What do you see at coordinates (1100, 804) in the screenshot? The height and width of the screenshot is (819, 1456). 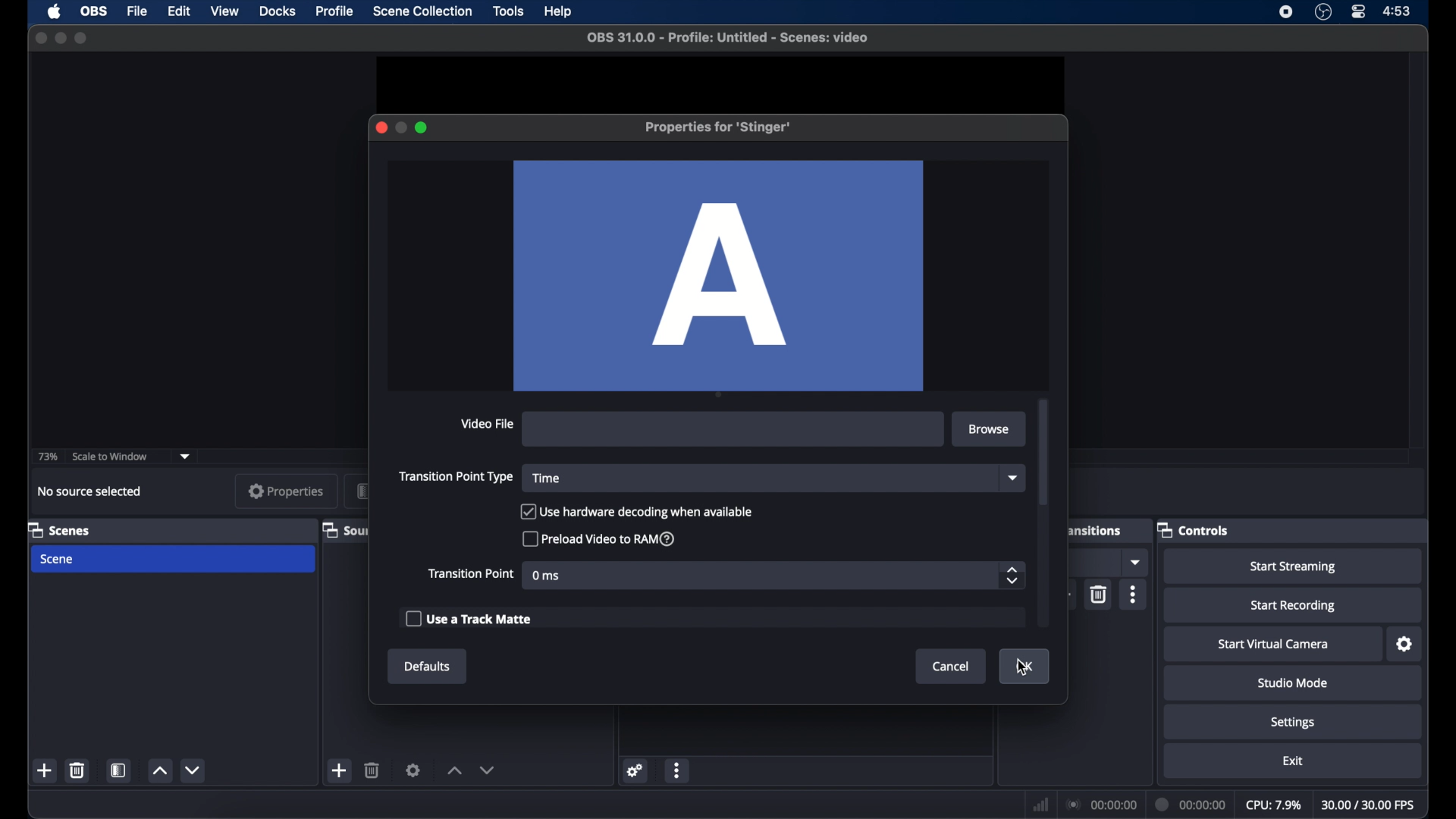 I see `connection` at bounding box center [1100, 804].